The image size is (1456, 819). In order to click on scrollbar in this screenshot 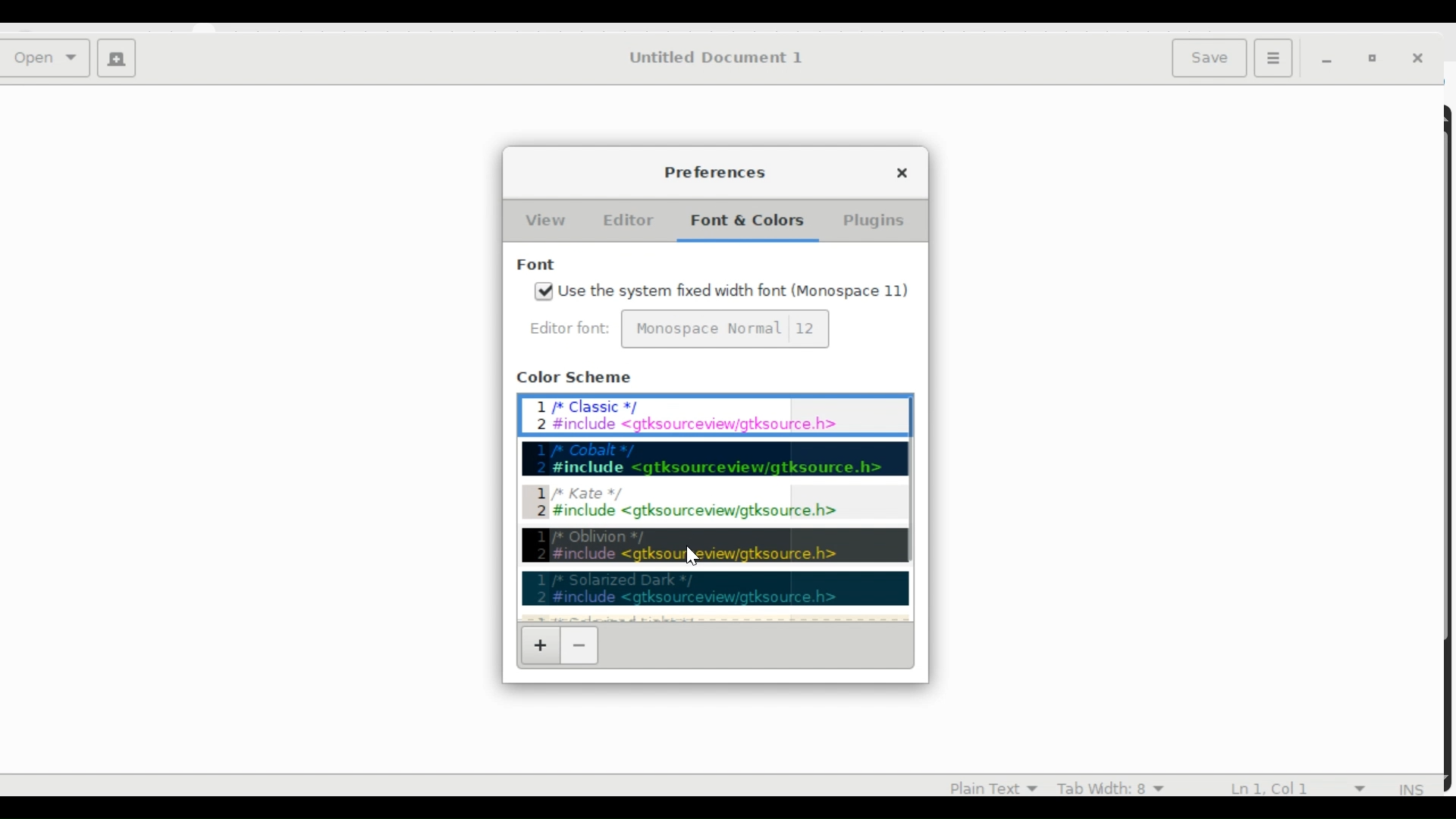, I will do `click(915, 507)`.